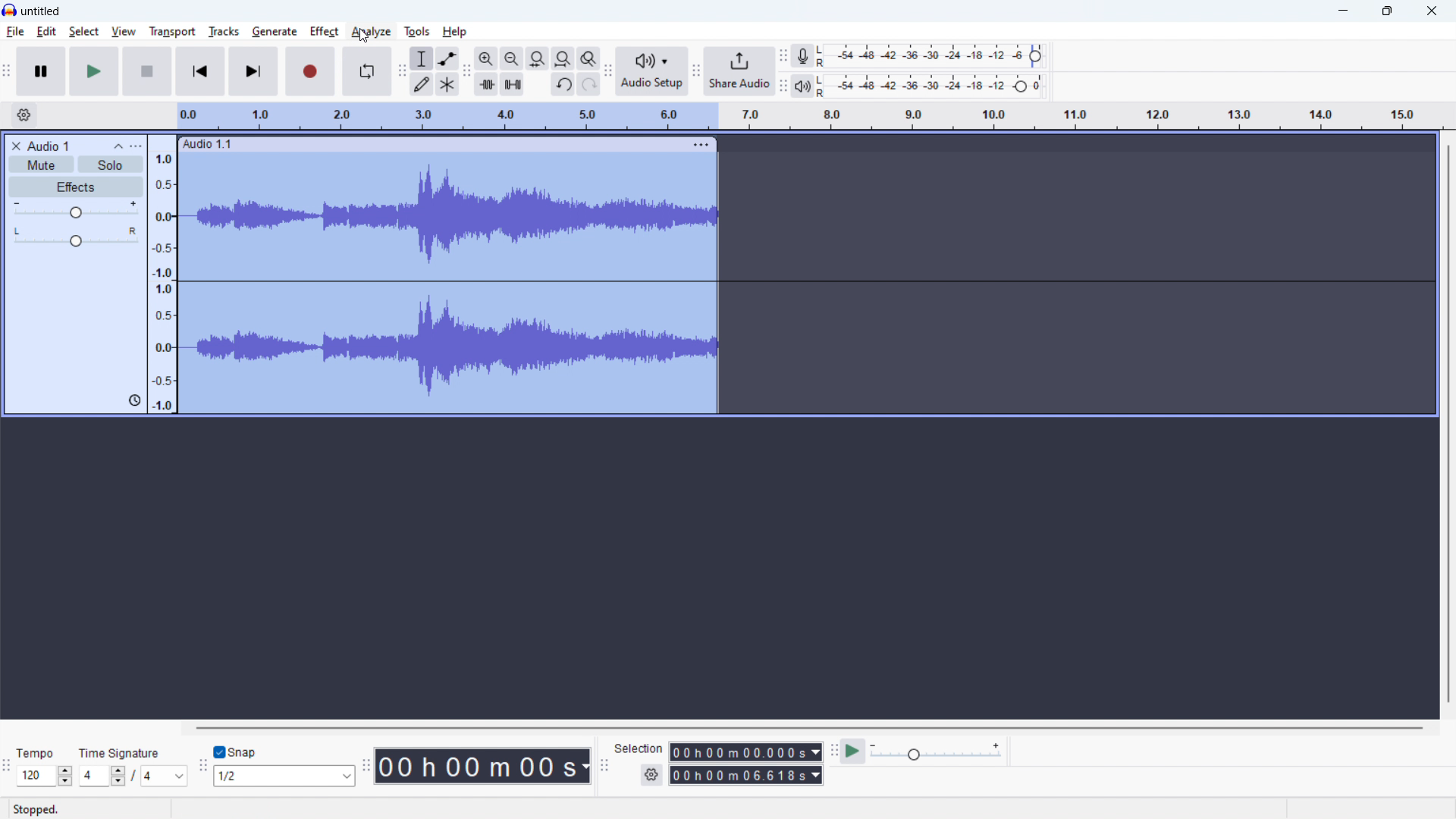 The height and width of the screenshot is (819, 1456). Describe the element at coordinates (484, 767) in the screenshot. I see `timestamp` at that location.